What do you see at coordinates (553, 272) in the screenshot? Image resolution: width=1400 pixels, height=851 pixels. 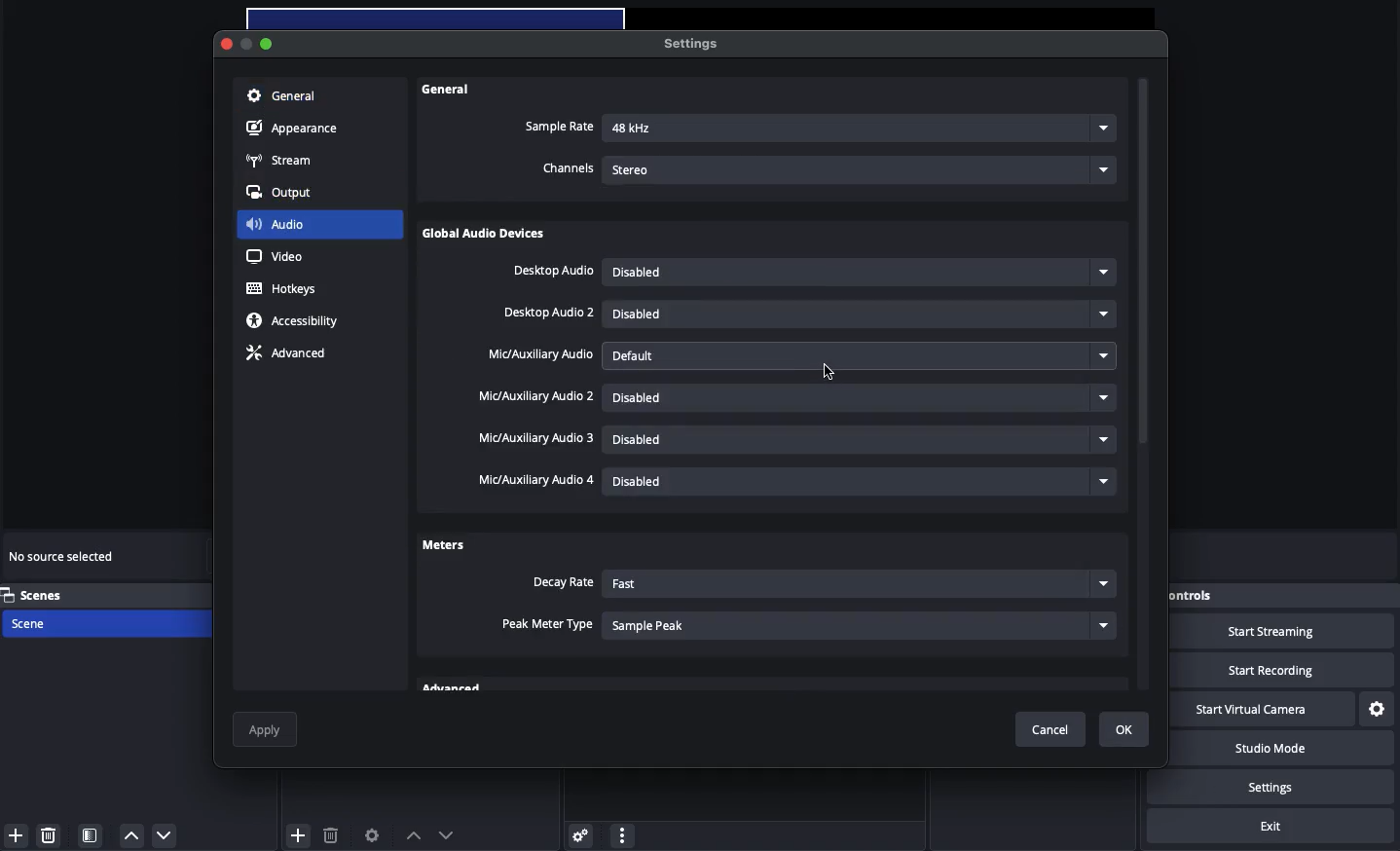 I see `Desktop audio` at bounding box center [553, 272].